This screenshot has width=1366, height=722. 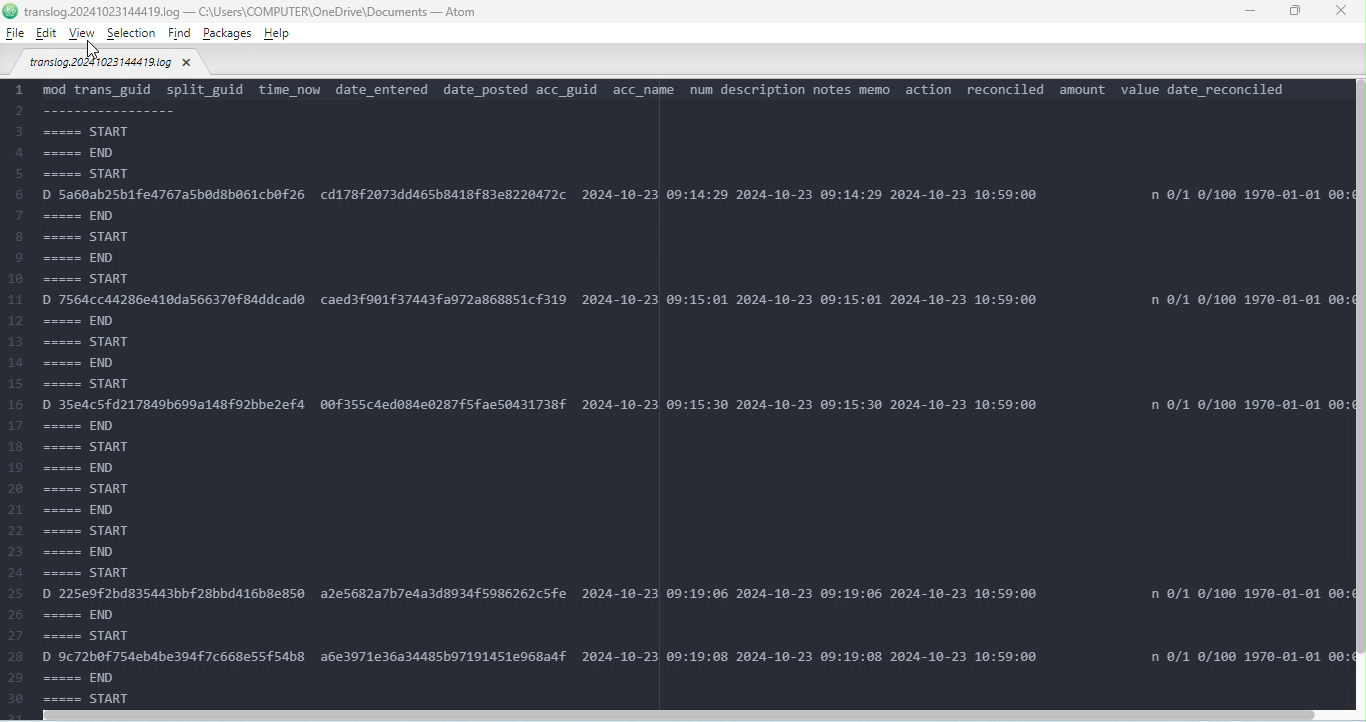 What do you see at coordinates (10, 11) in the screenshot?
I see `` at bounding box center [10, 11].